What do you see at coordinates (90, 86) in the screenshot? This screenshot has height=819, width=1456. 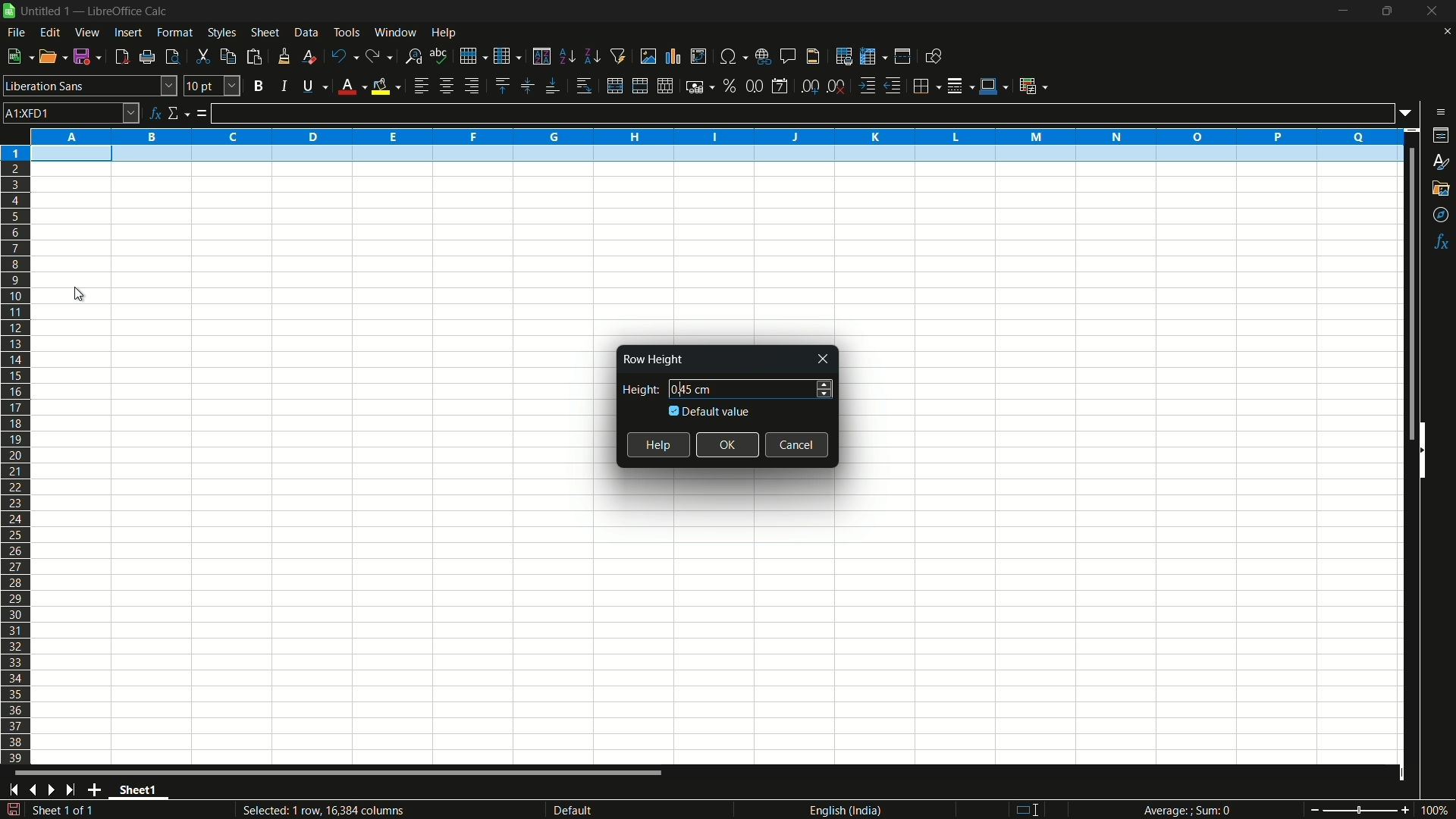 I see `font name` at bounding box center [90, 86].